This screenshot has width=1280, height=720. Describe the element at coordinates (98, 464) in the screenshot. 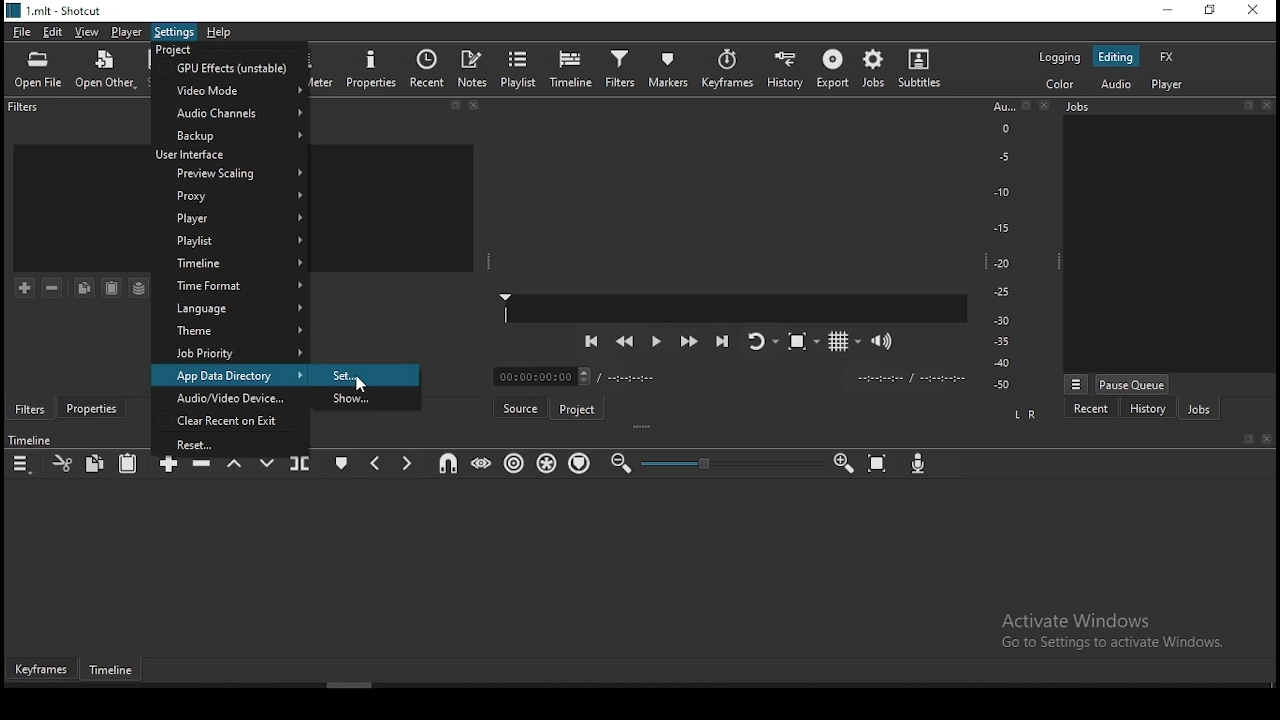

I see `copy` at that location.